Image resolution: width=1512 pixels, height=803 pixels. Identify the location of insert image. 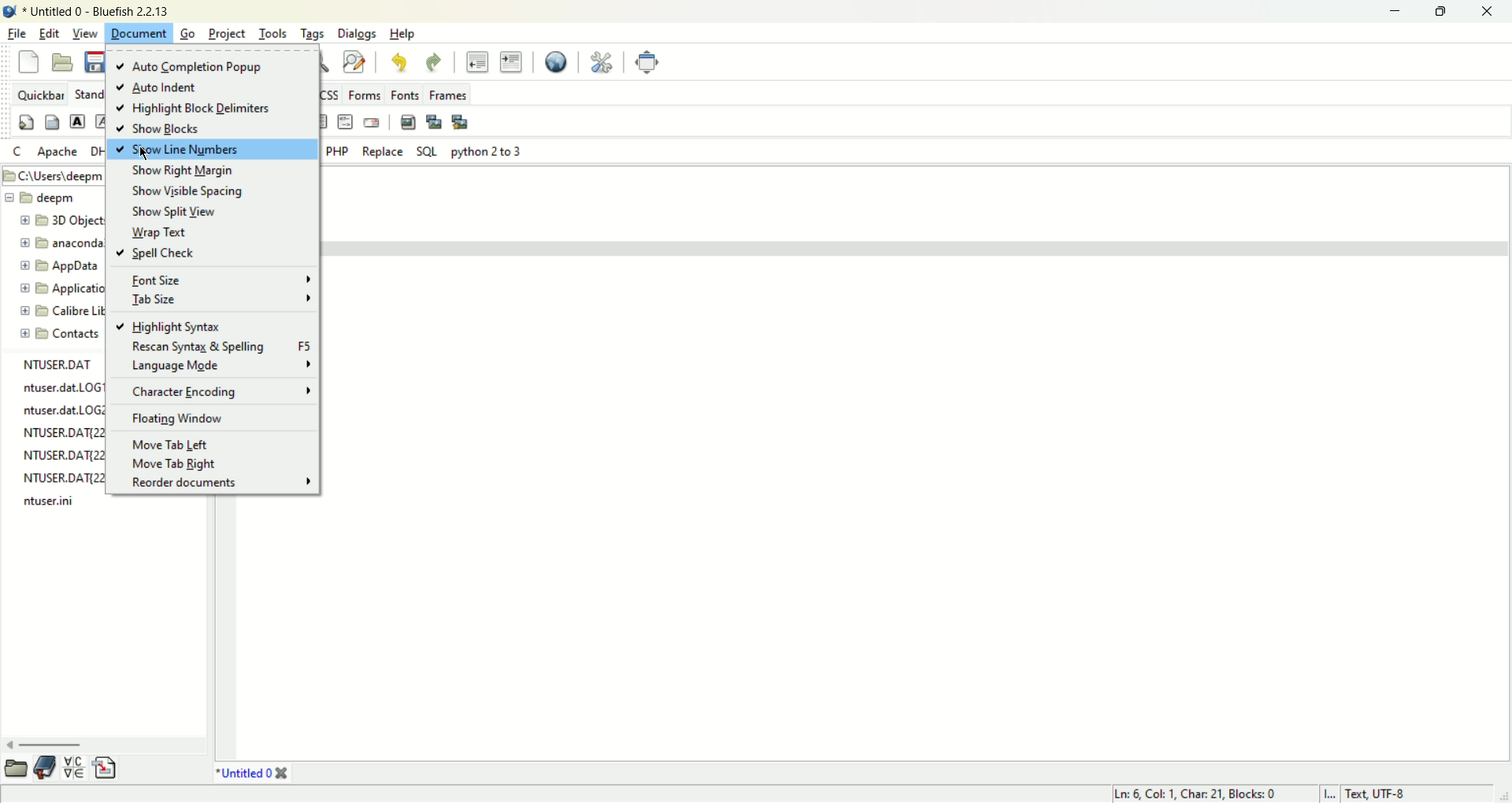
(406, 122).